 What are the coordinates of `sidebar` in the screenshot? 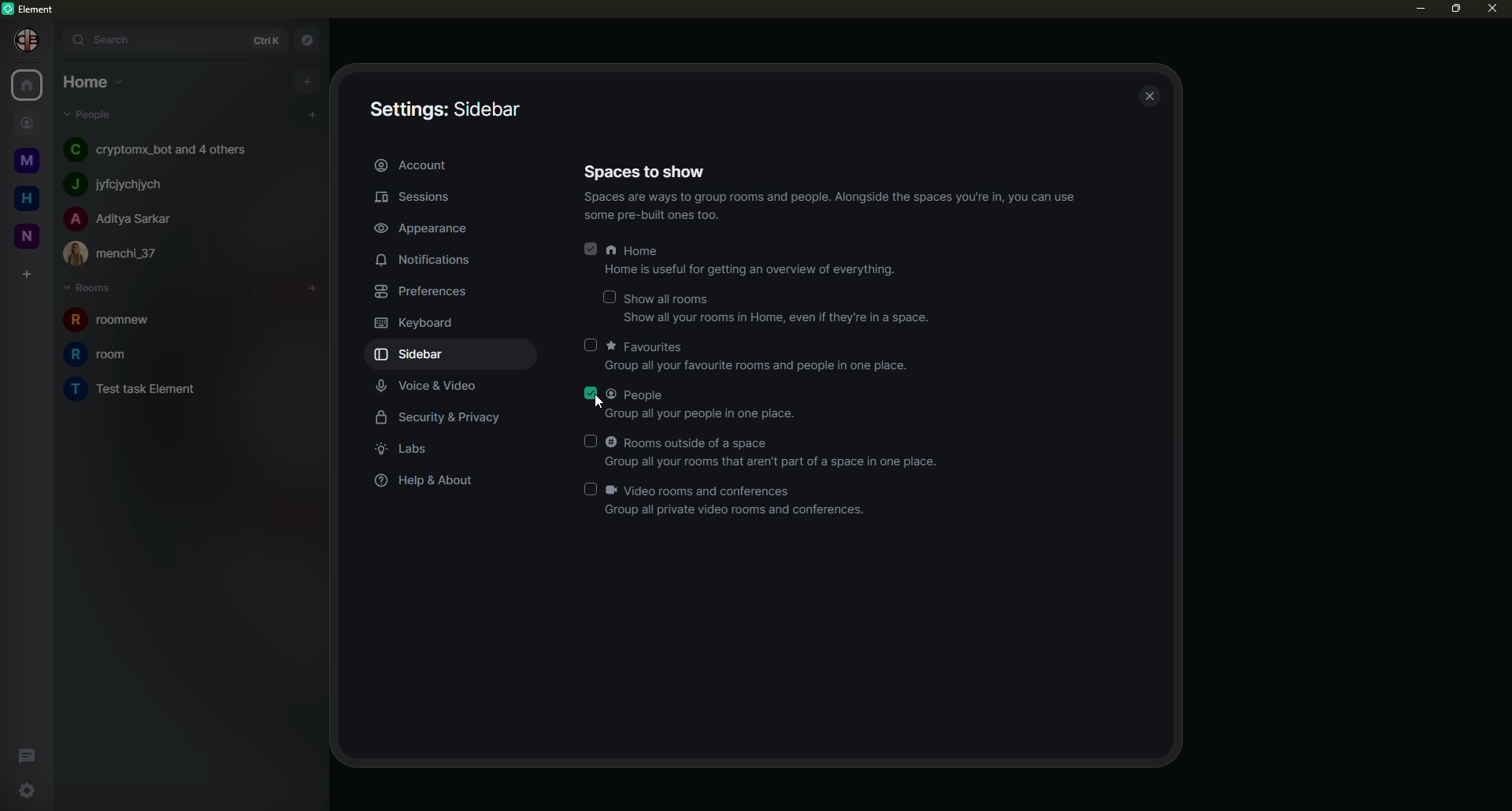 It's located at (416, 354).